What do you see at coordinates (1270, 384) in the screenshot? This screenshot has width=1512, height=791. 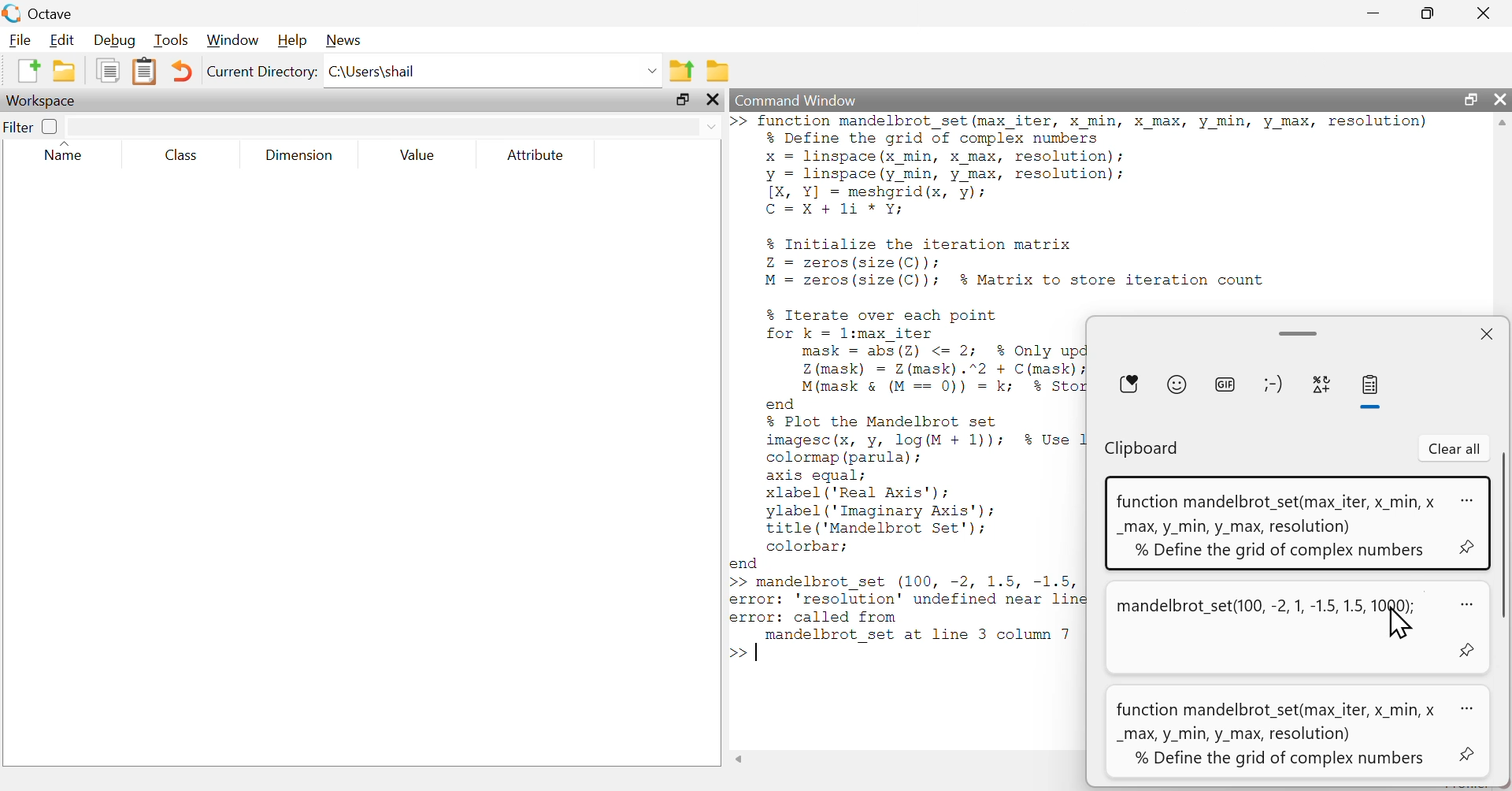 I see `character` at bounding box center [1270, 384].